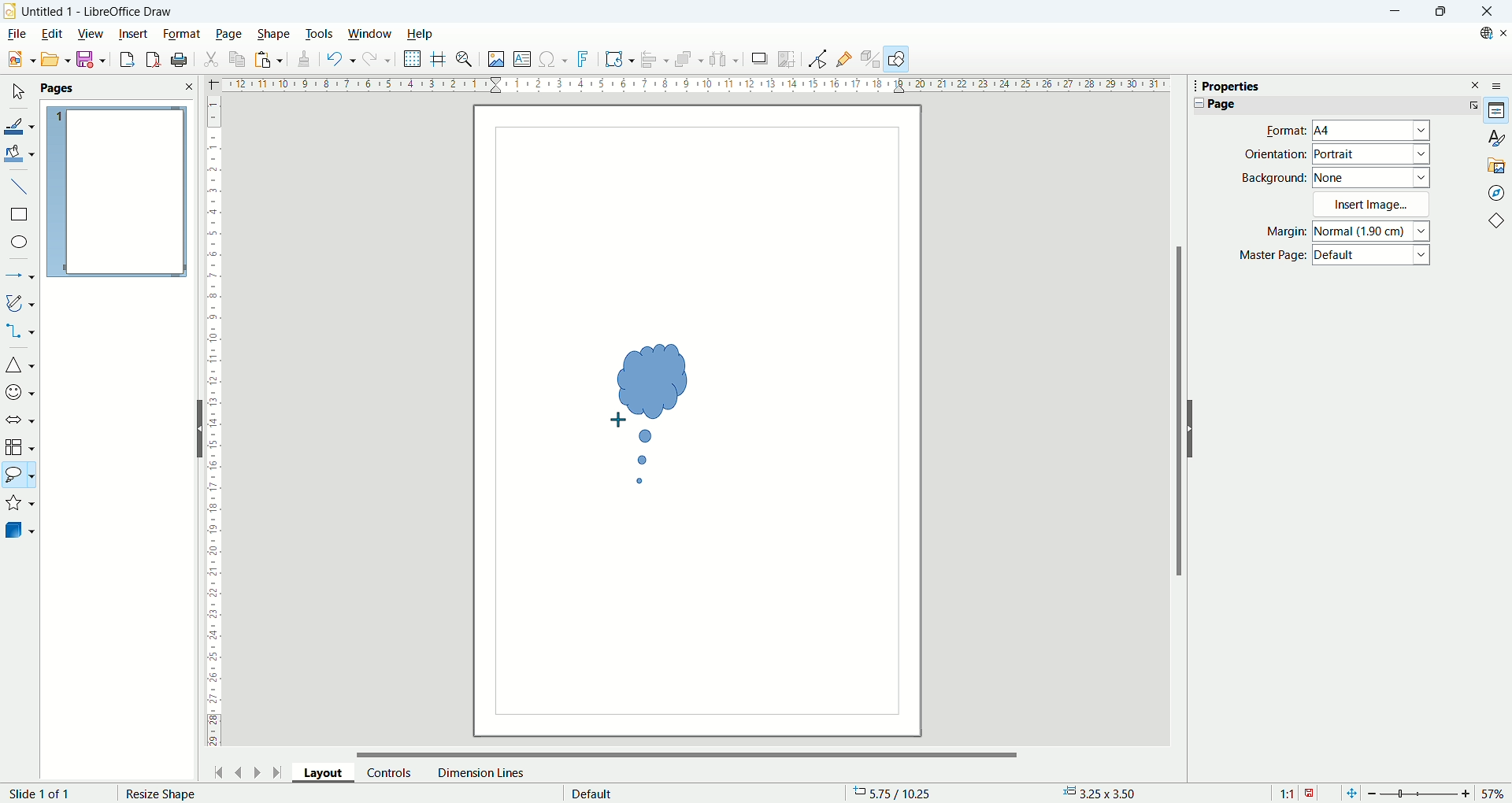  I want to click on toggle extrusion, so click(871, 60).